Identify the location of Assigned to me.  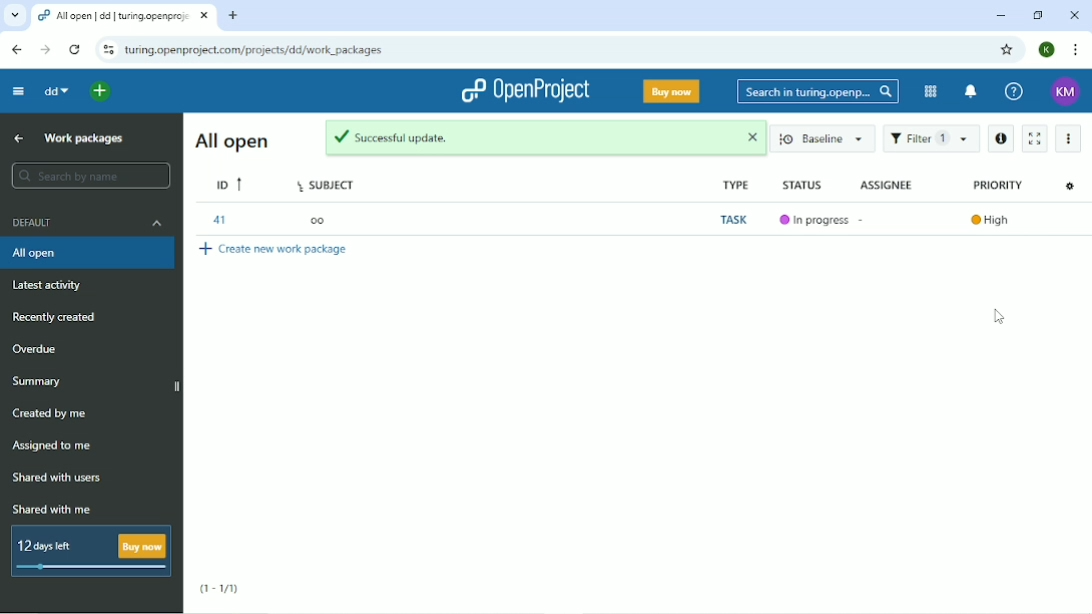
(57, 447).